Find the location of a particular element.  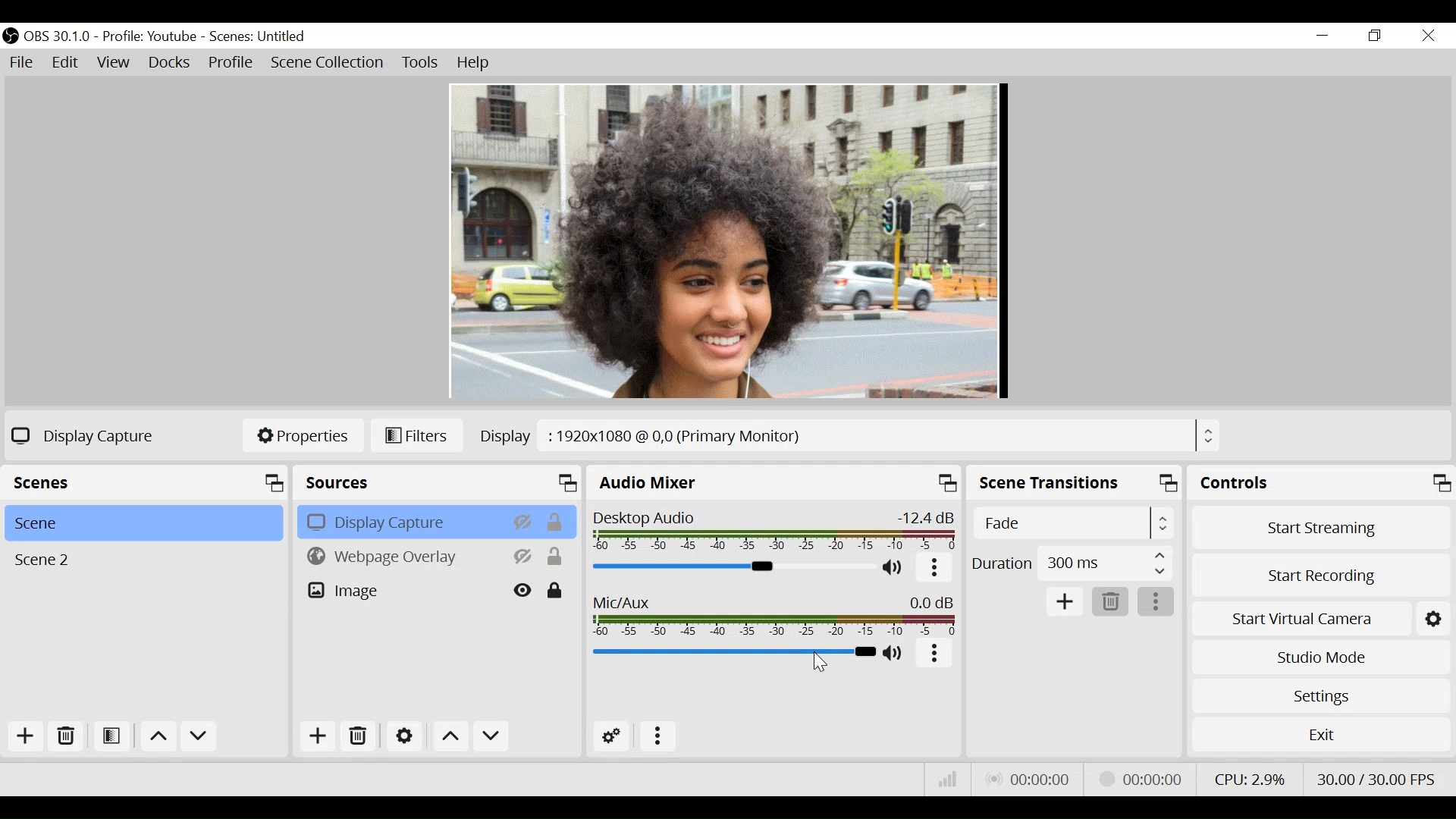

more option is located at coordinates (936, 570).